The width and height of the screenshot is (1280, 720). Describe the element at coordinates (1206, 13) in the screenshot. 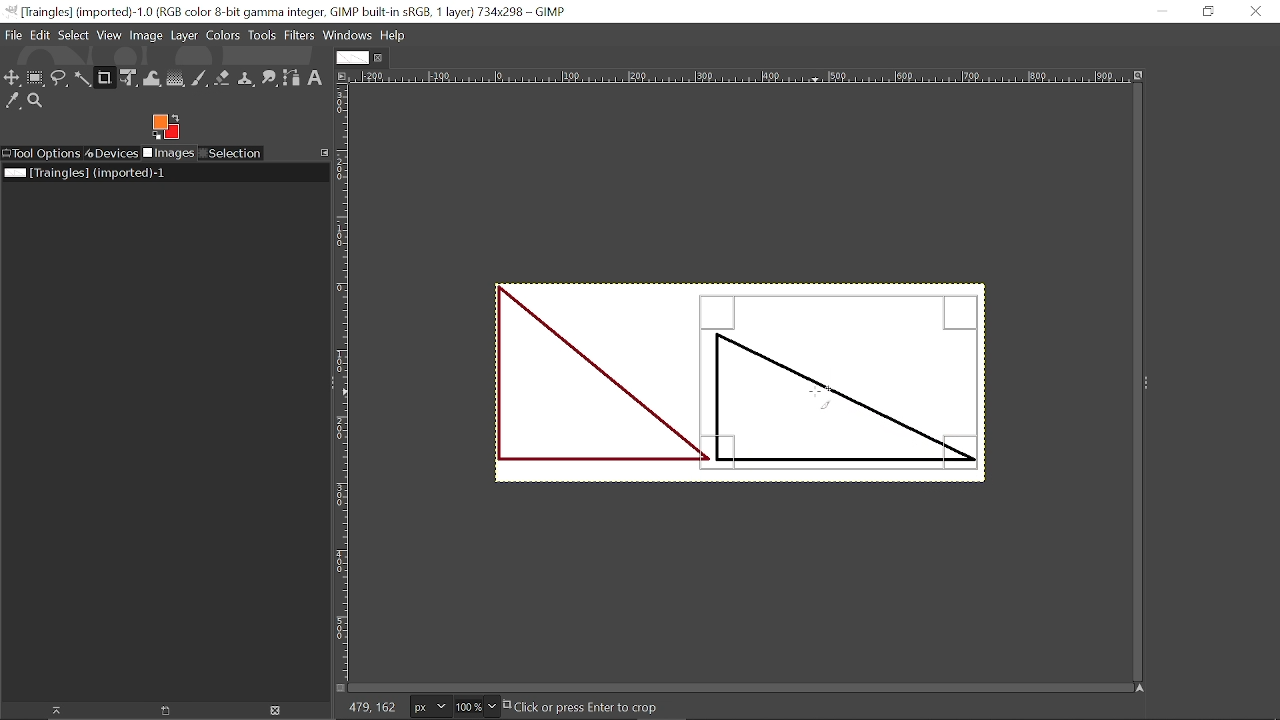

I see `Restore down` at that location.